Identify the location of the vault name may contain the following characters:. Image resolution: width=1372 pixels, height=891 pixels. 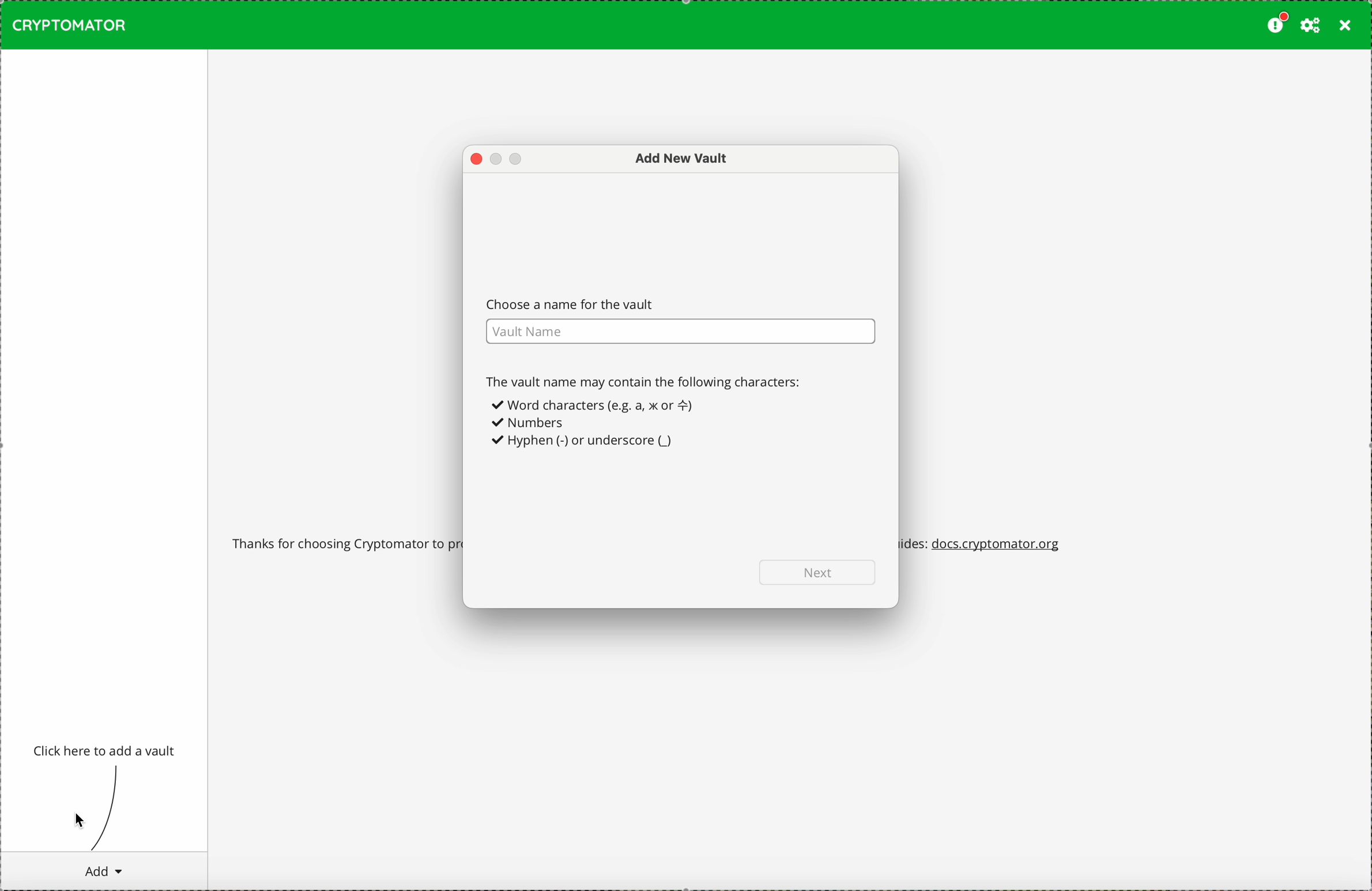
(647, 381).